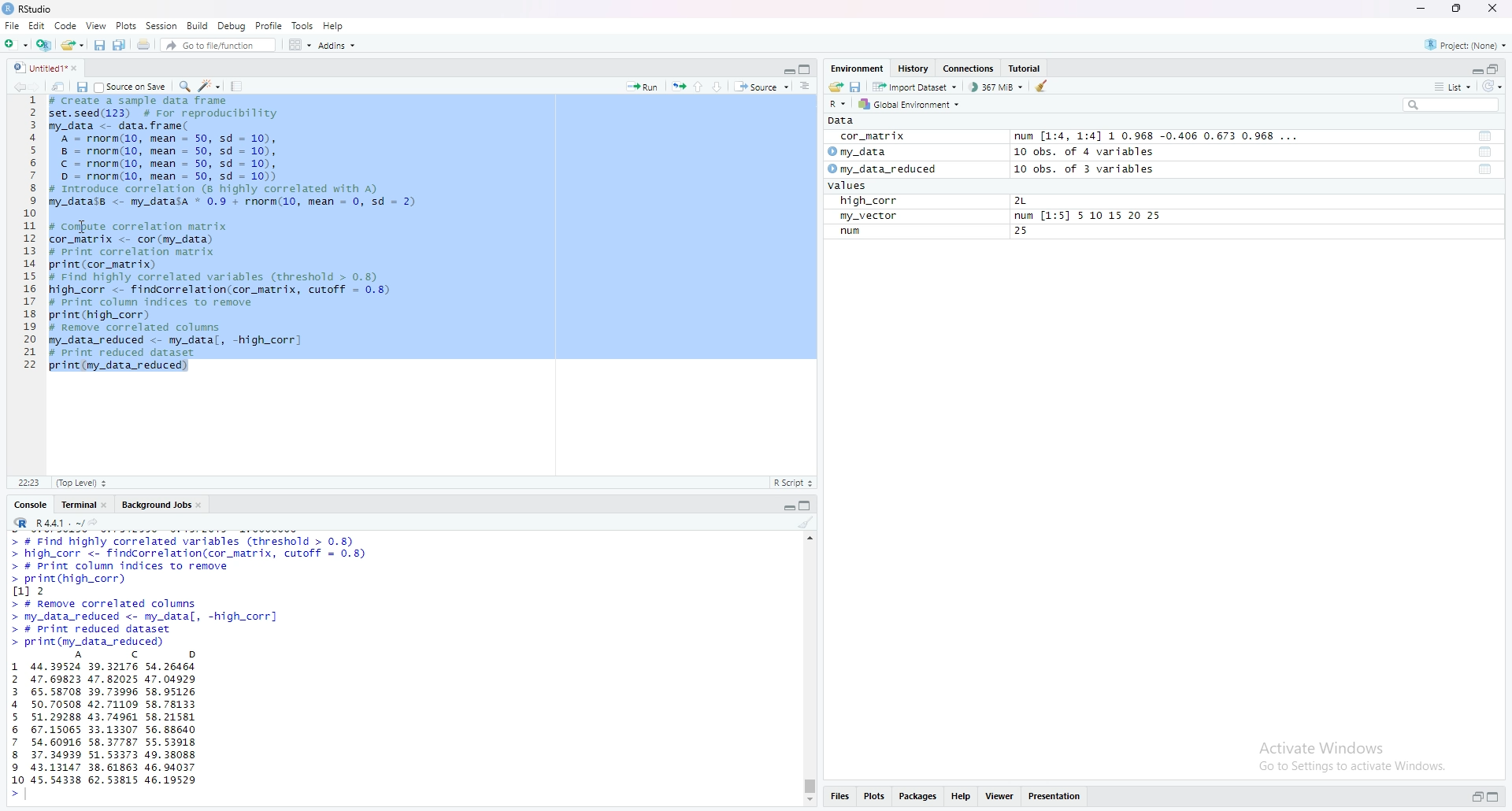 The width and height of the screenshot is (1512, 811). What do you see at coordinates (915, 87) in the screenshot?
I see `Import Dataset ` at bounding box center [915, 87].